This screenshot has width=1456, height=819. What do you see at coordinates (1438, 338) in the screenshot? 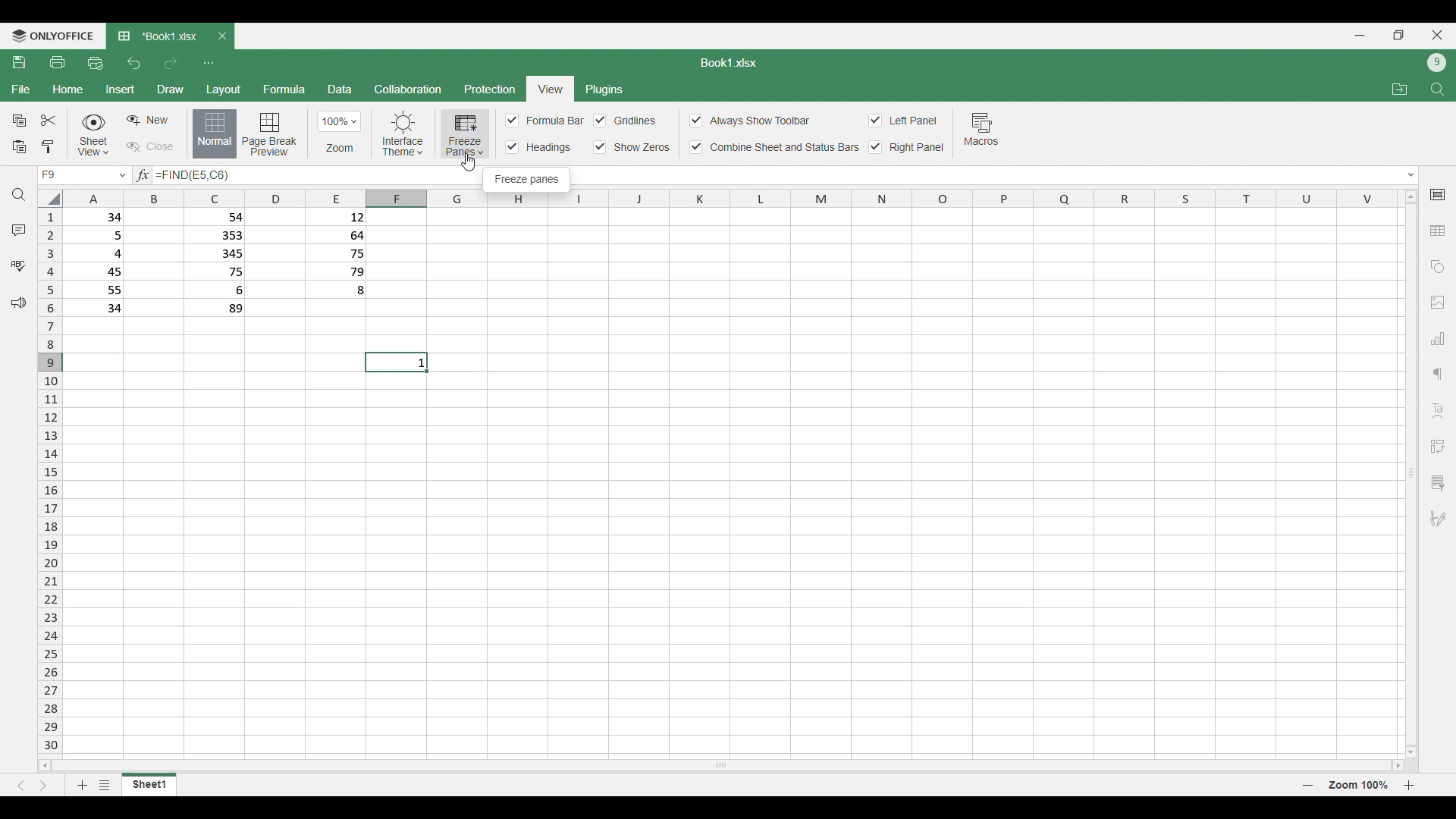
I see `Add chart` at bounding box center [1438, 338].